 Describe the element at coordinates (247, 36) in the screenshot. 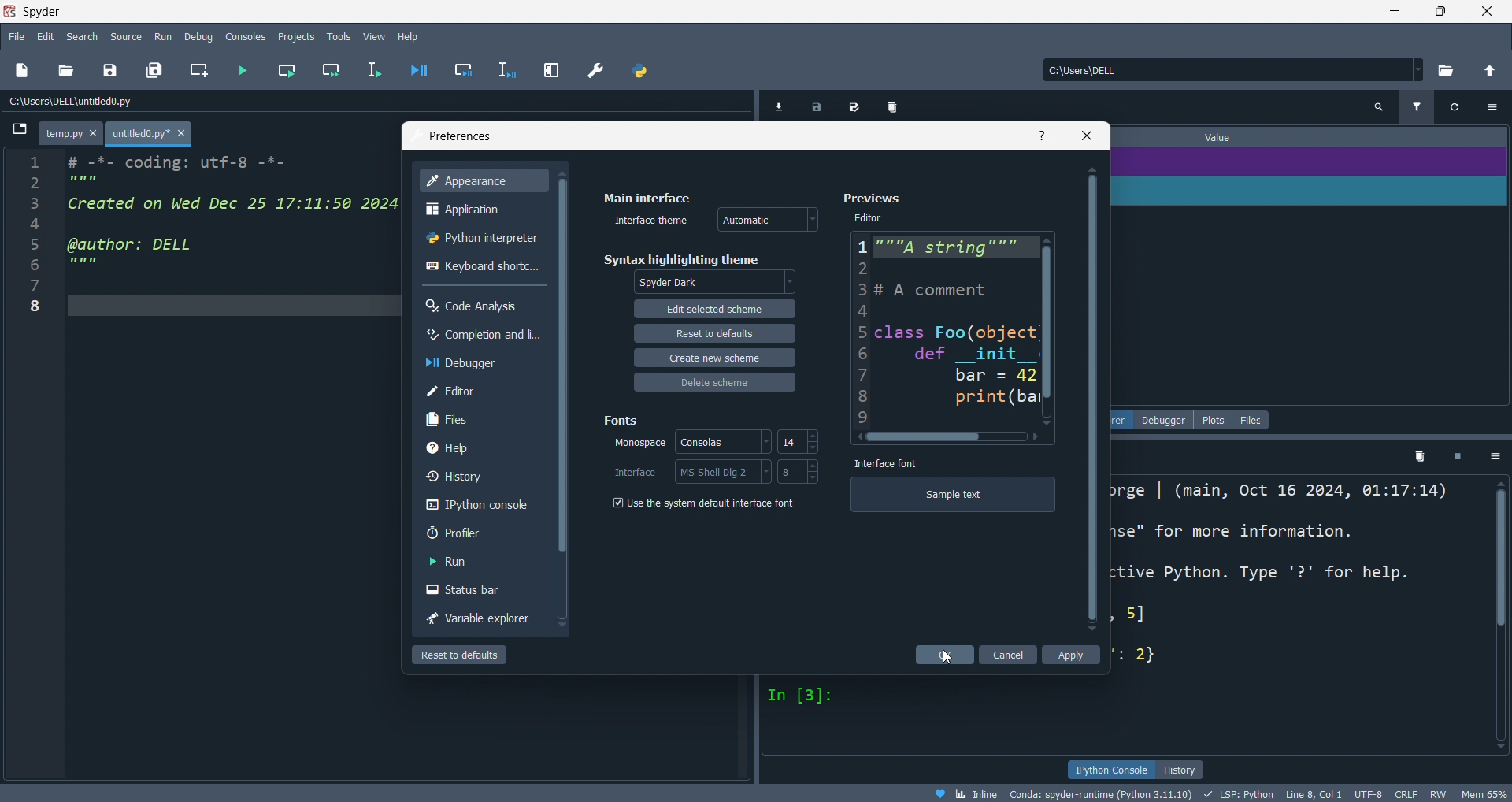

I see `consoles` at that location.